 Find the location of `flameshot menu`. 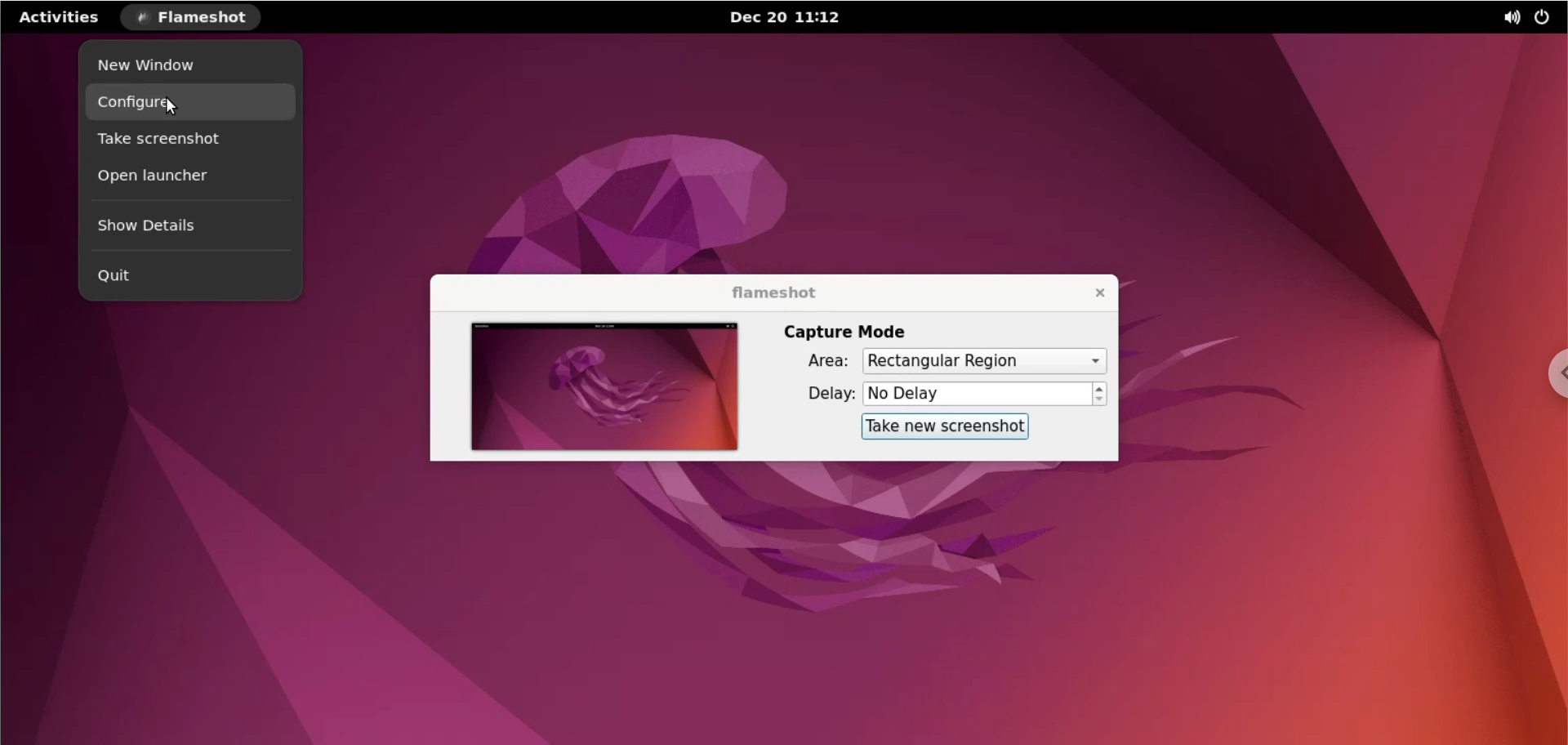

flameshot menu is located at coordinates (194, 18).